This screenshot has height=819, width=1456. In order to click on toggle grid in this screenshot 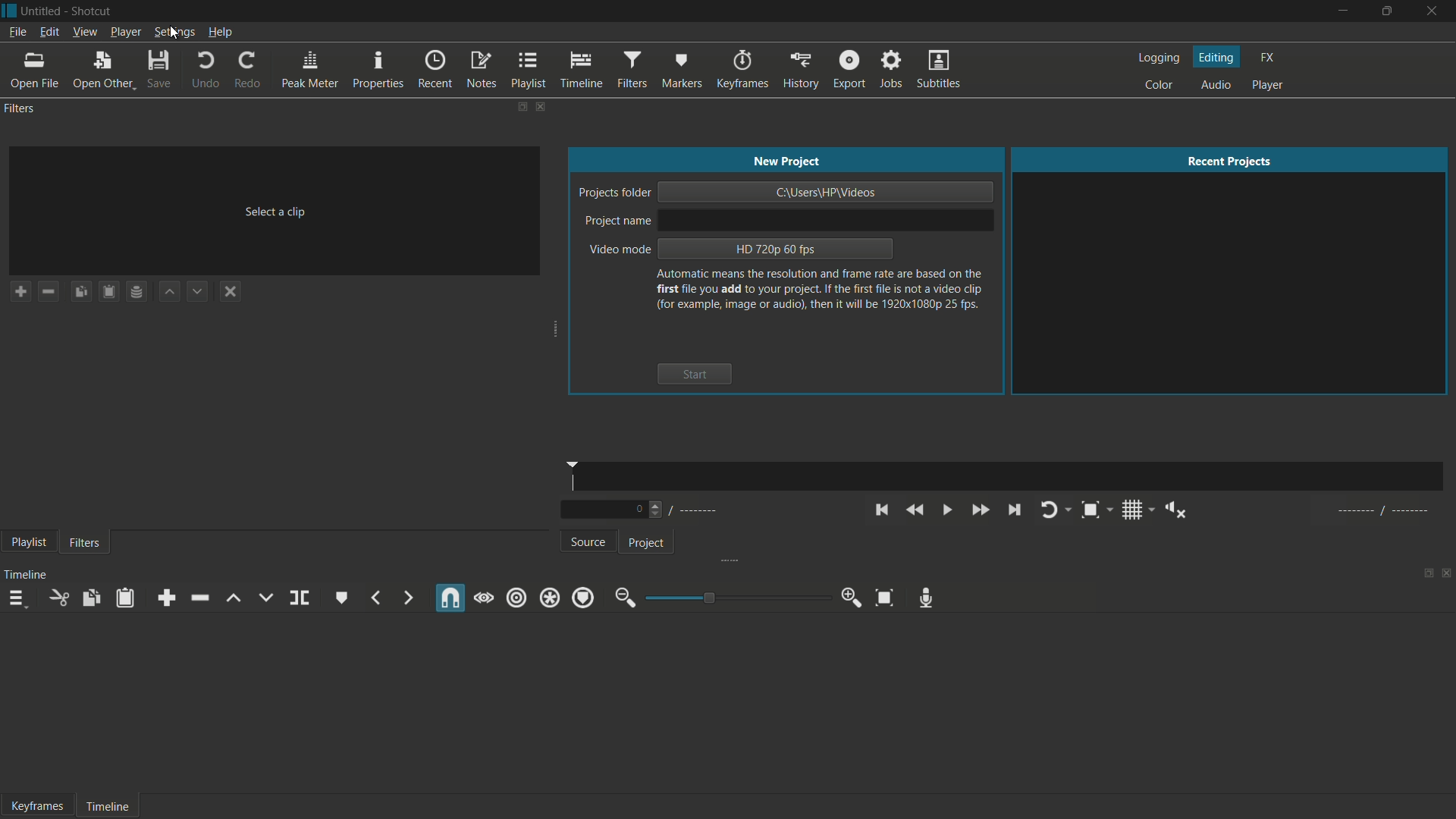, I will do `click(1132, 510)`.